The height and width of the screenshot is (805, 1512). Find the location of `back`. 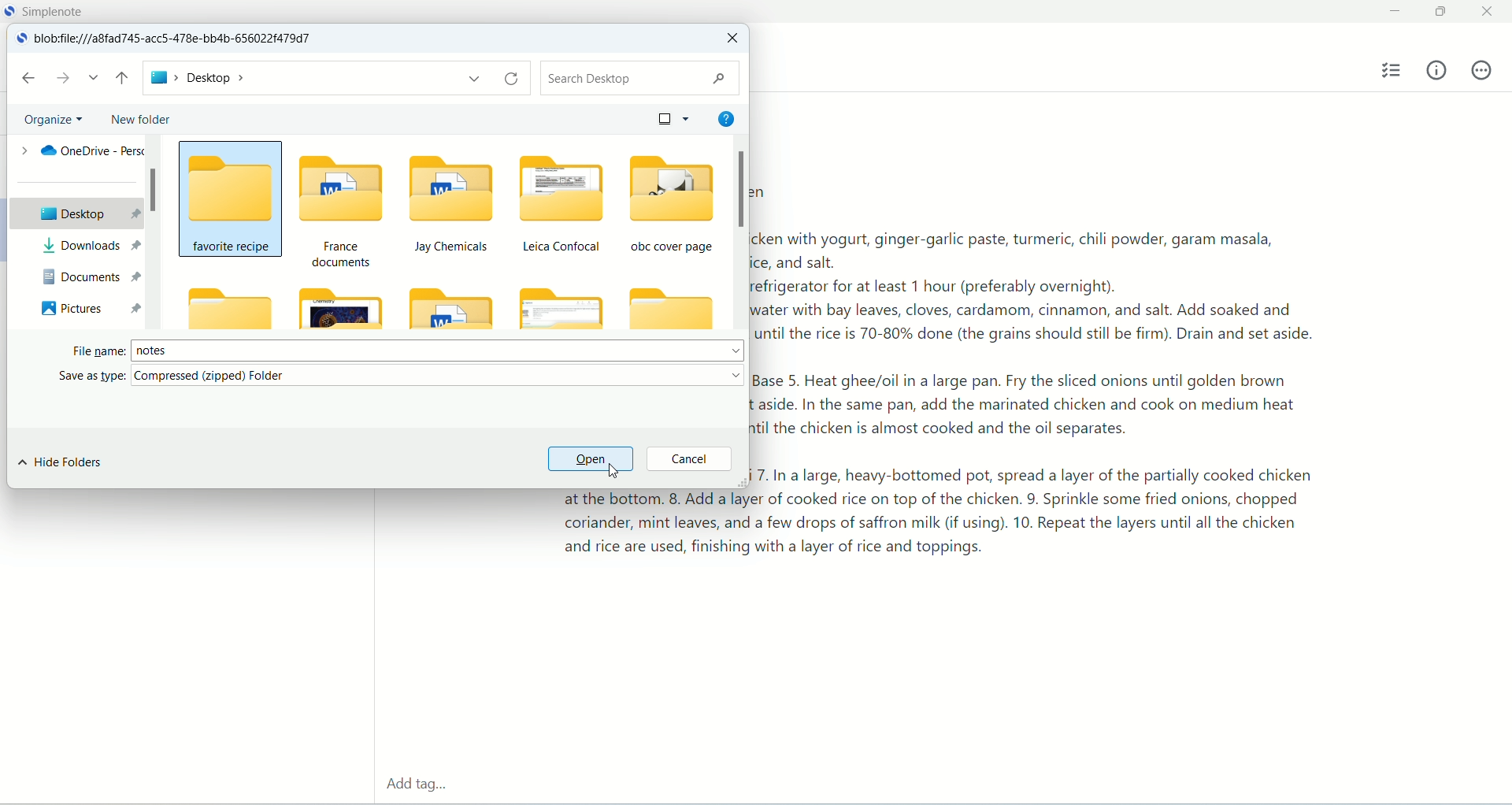

back is located at coordinates (28, 78).